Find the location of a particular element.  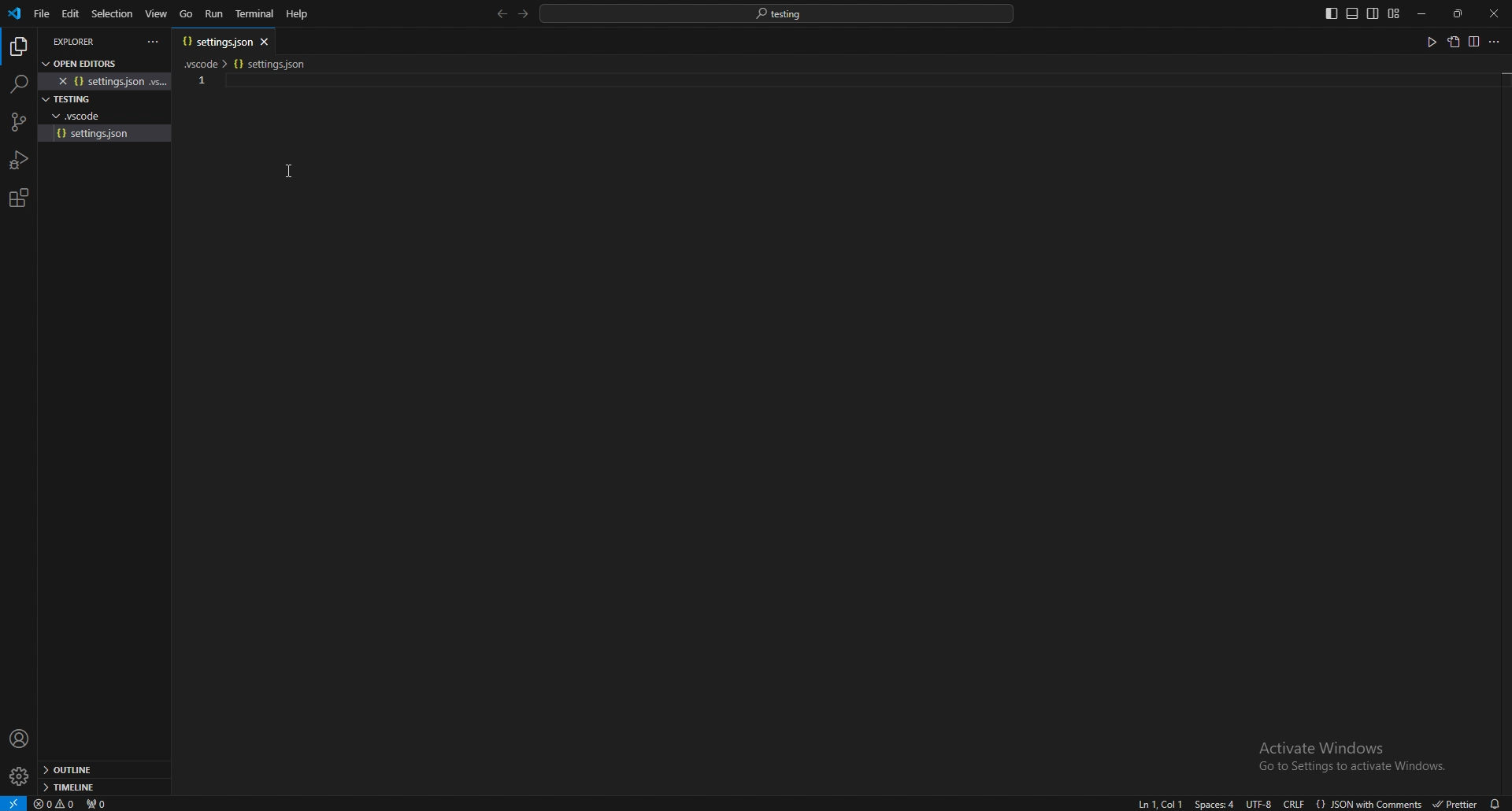

ports forwarded is located at coordinates (103, 804).